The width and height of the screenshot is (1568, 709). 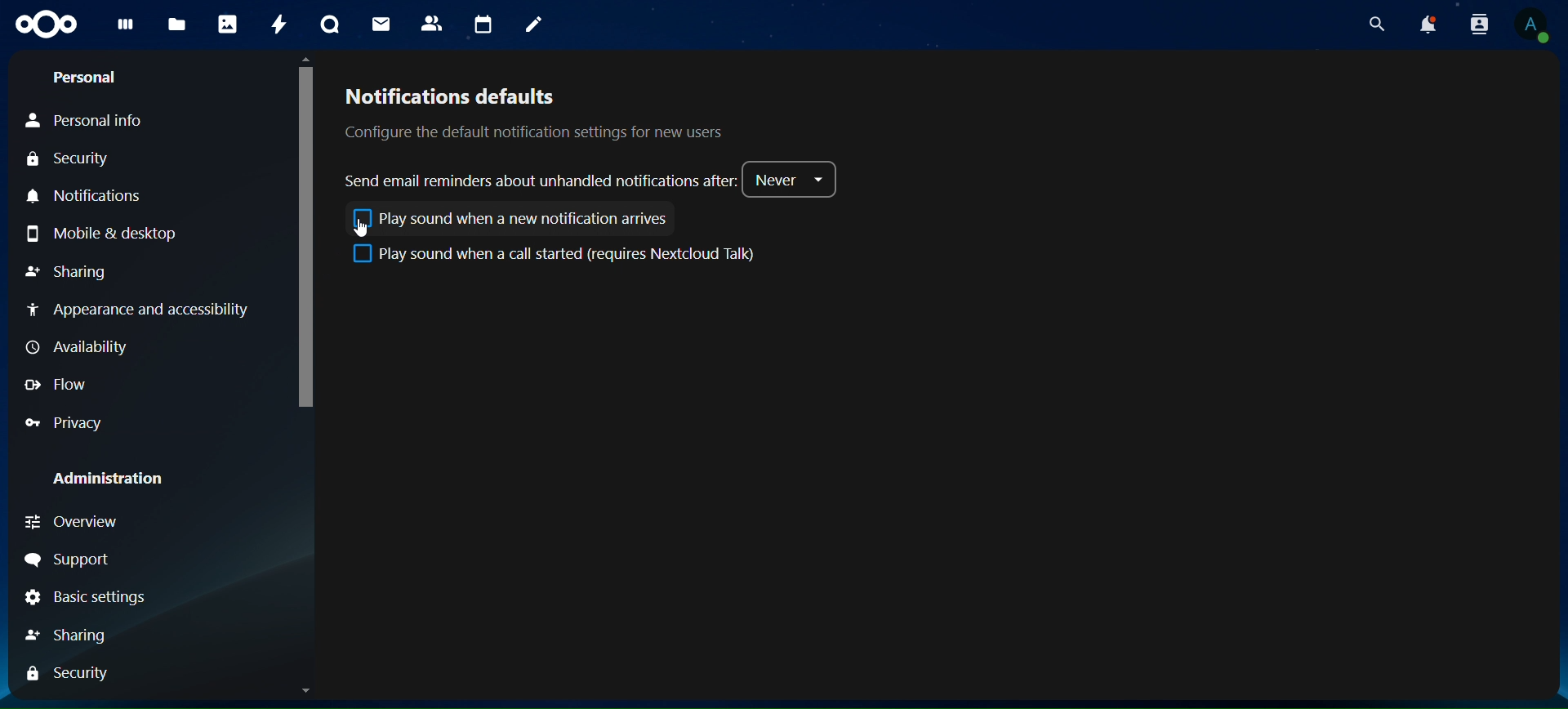 I want to click on notification defaults, so click(x=554, y=113).